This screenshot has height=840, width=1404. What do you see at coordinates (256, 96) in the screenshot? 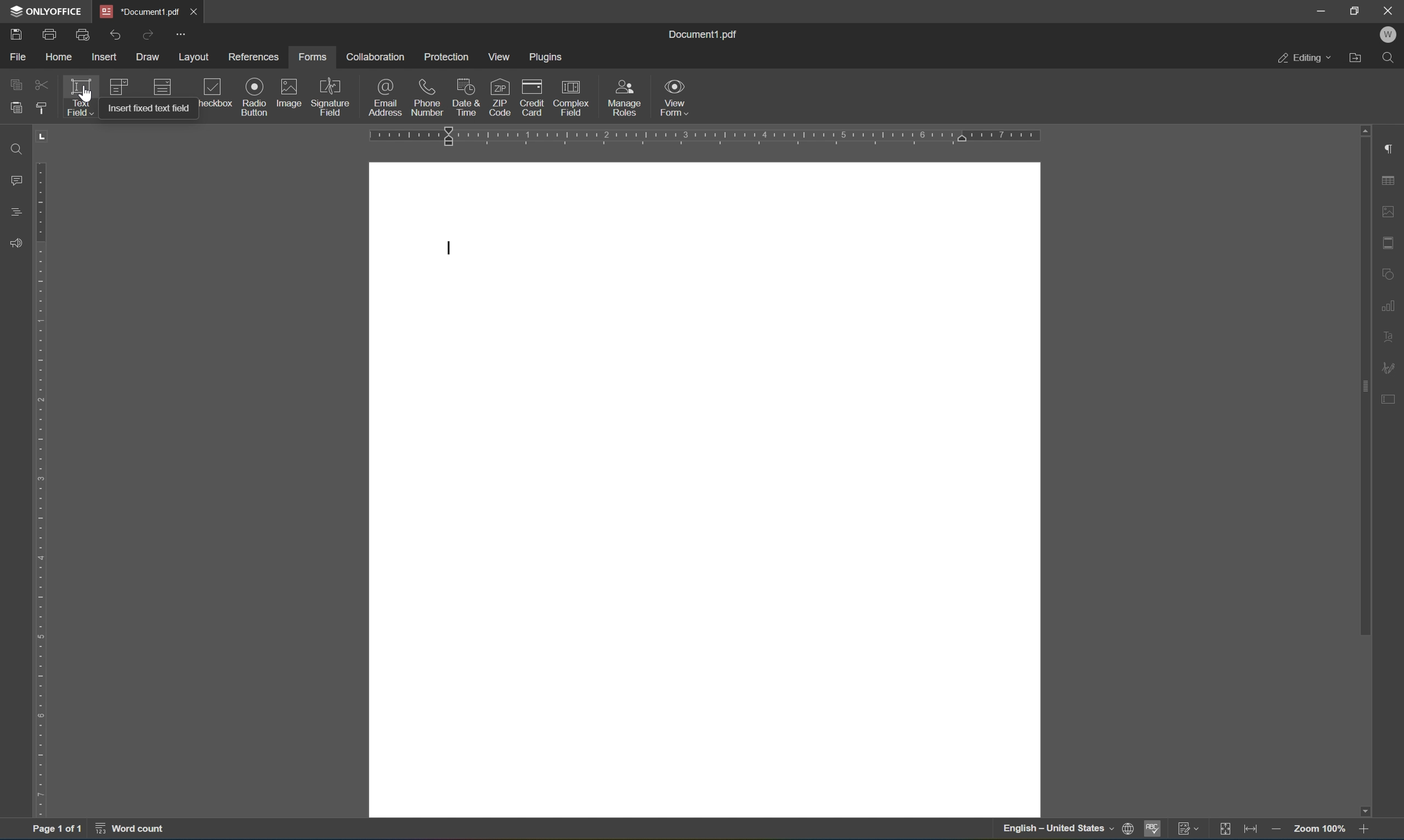
I see `radio button` at bounding box center [256, 96].